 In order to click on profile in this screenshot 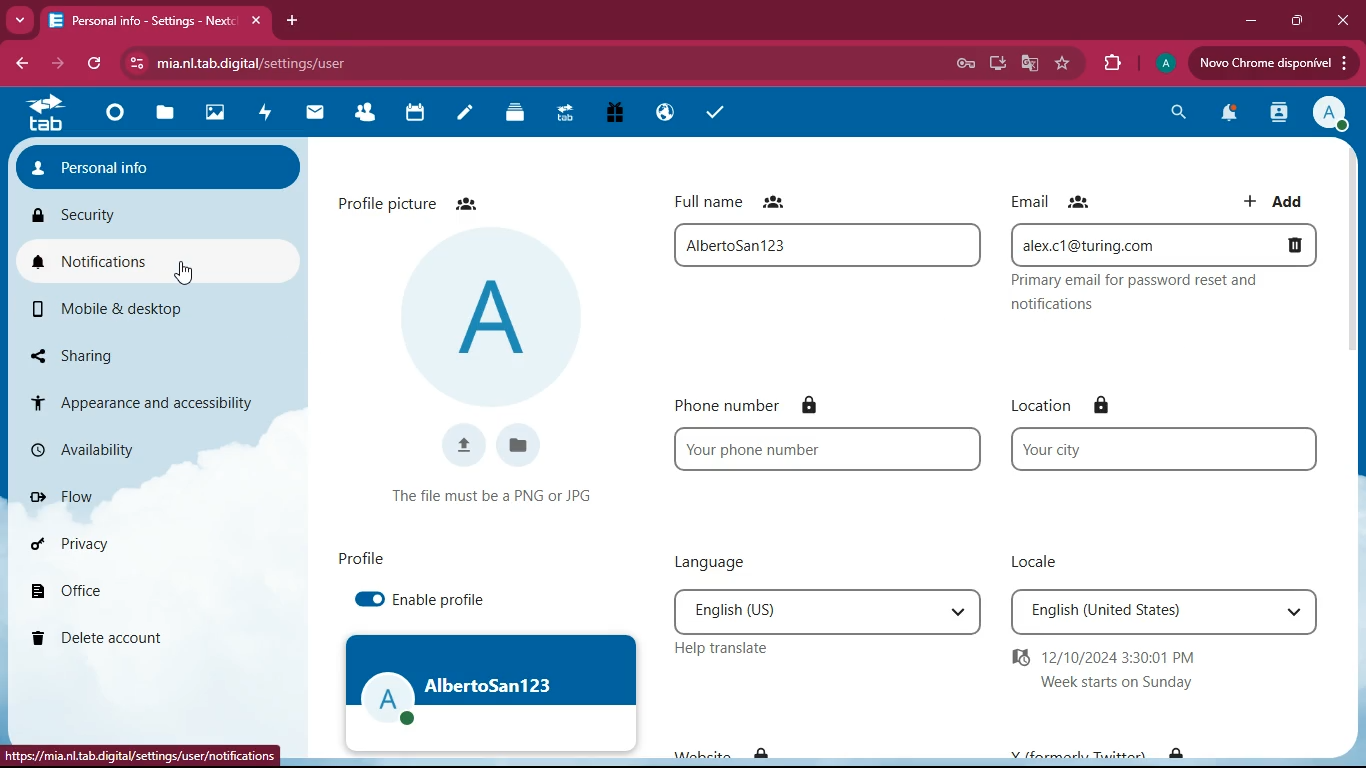, I will do `click(491, 692)`.